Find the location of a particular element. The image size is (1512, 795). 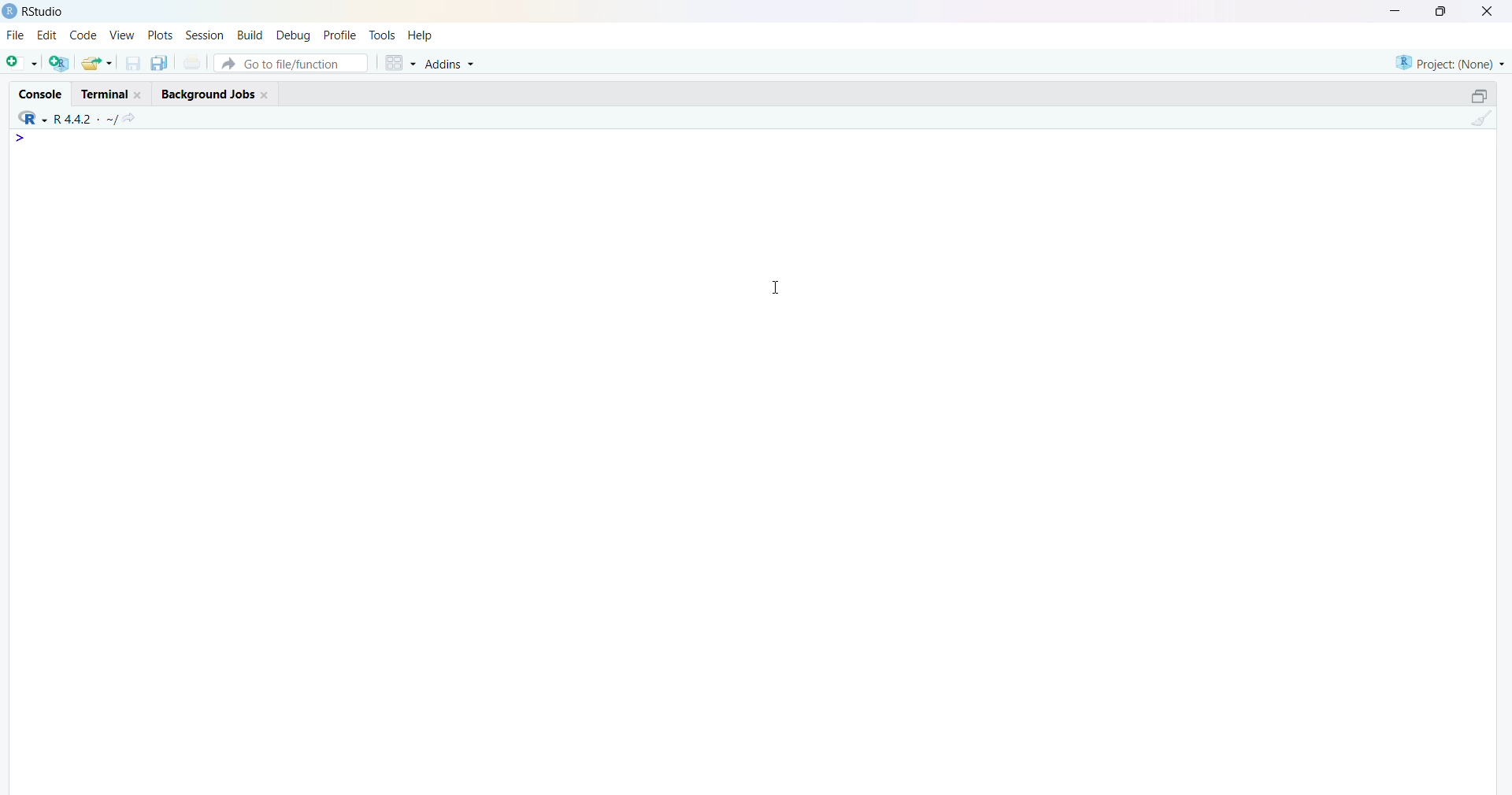

duplicate is located at coordinates (161, 63).